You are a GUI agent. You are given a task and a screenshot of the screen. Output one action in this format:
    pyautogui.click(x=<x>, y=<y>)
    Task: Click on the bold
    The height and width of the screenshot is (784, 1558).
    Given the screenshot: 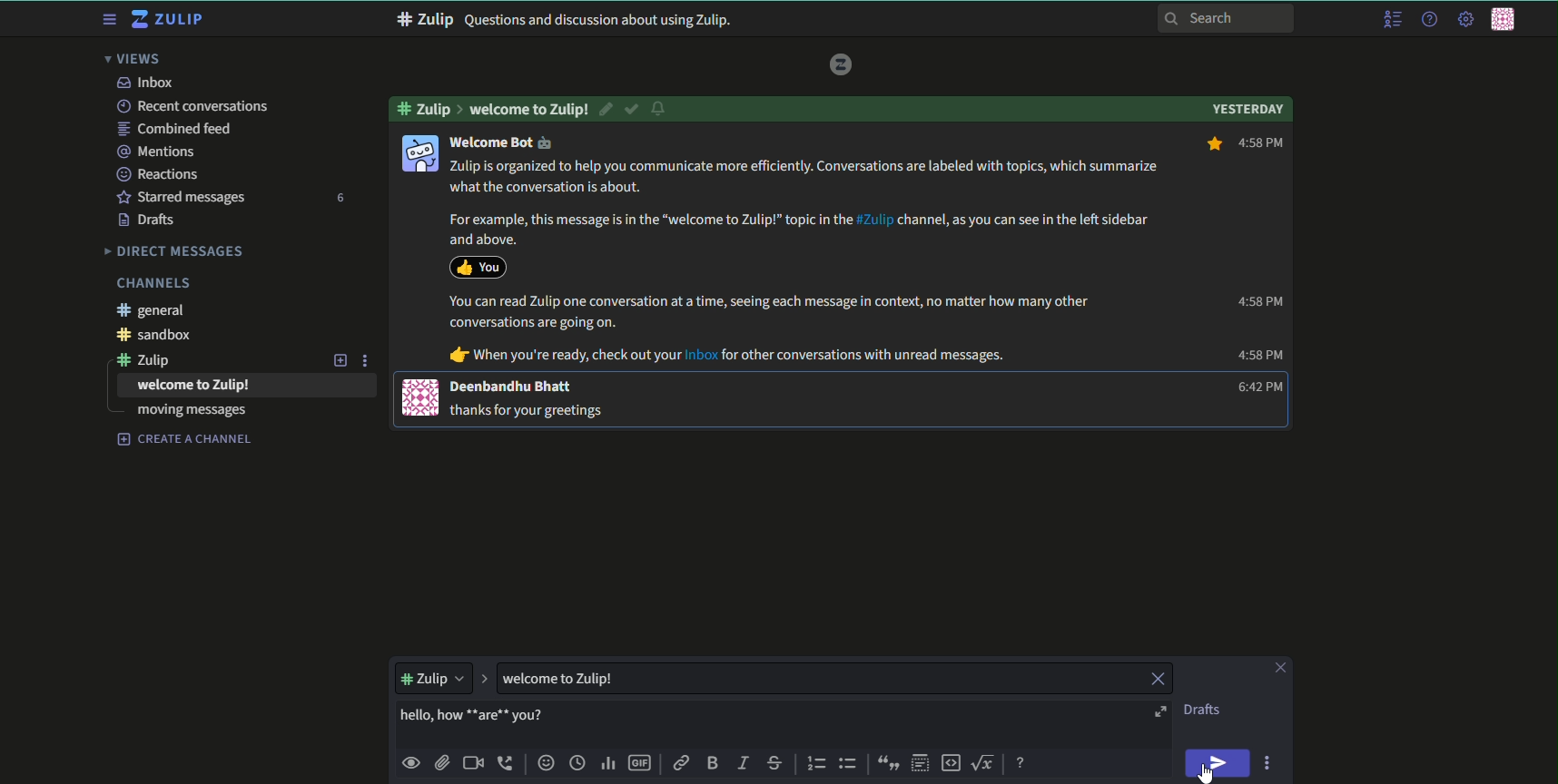 What is the action you would take?
    pyautogui.click(x=714, y=763)
    